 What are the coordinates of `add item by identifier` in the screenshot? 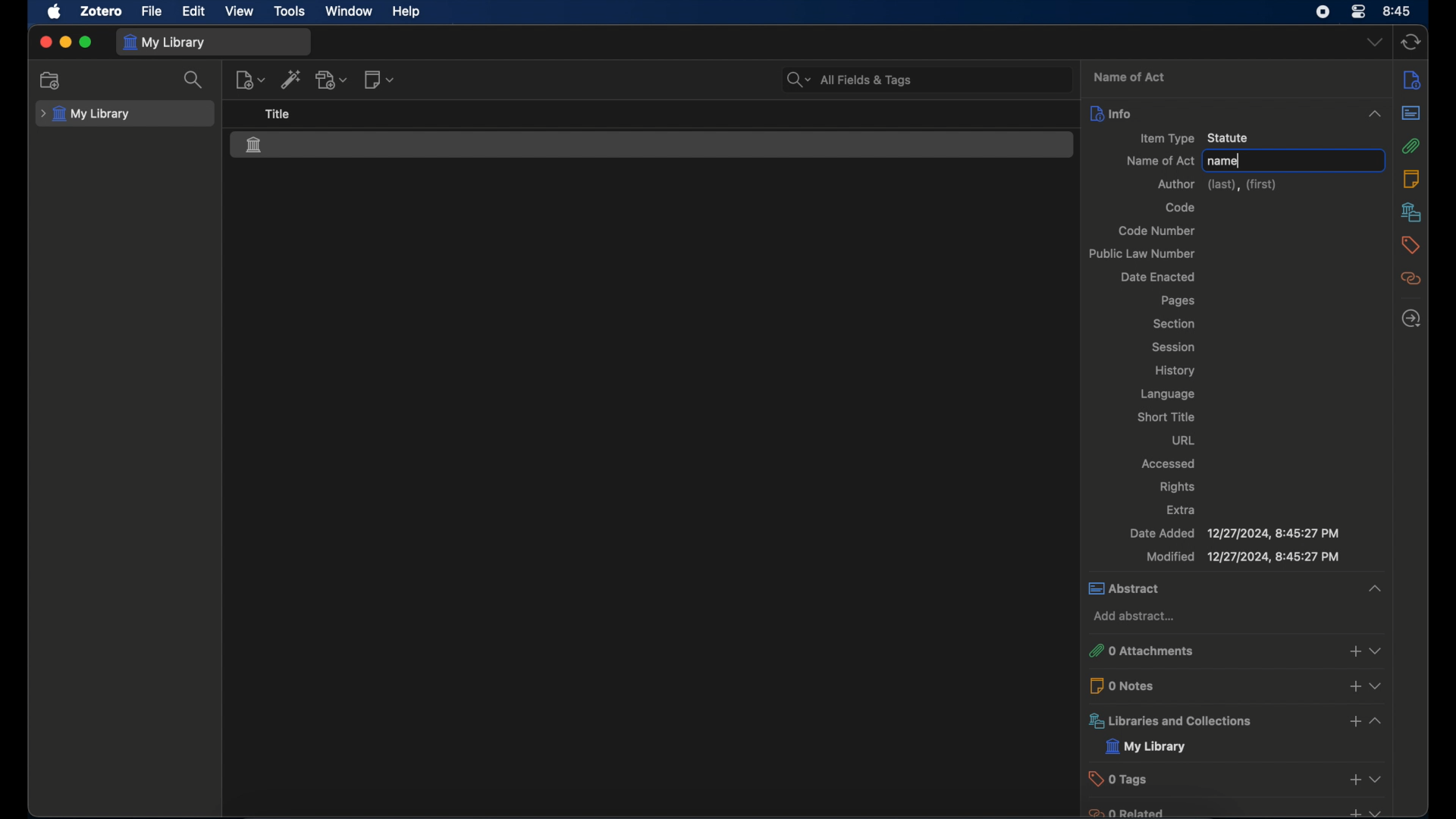 It's located at (292, 81).